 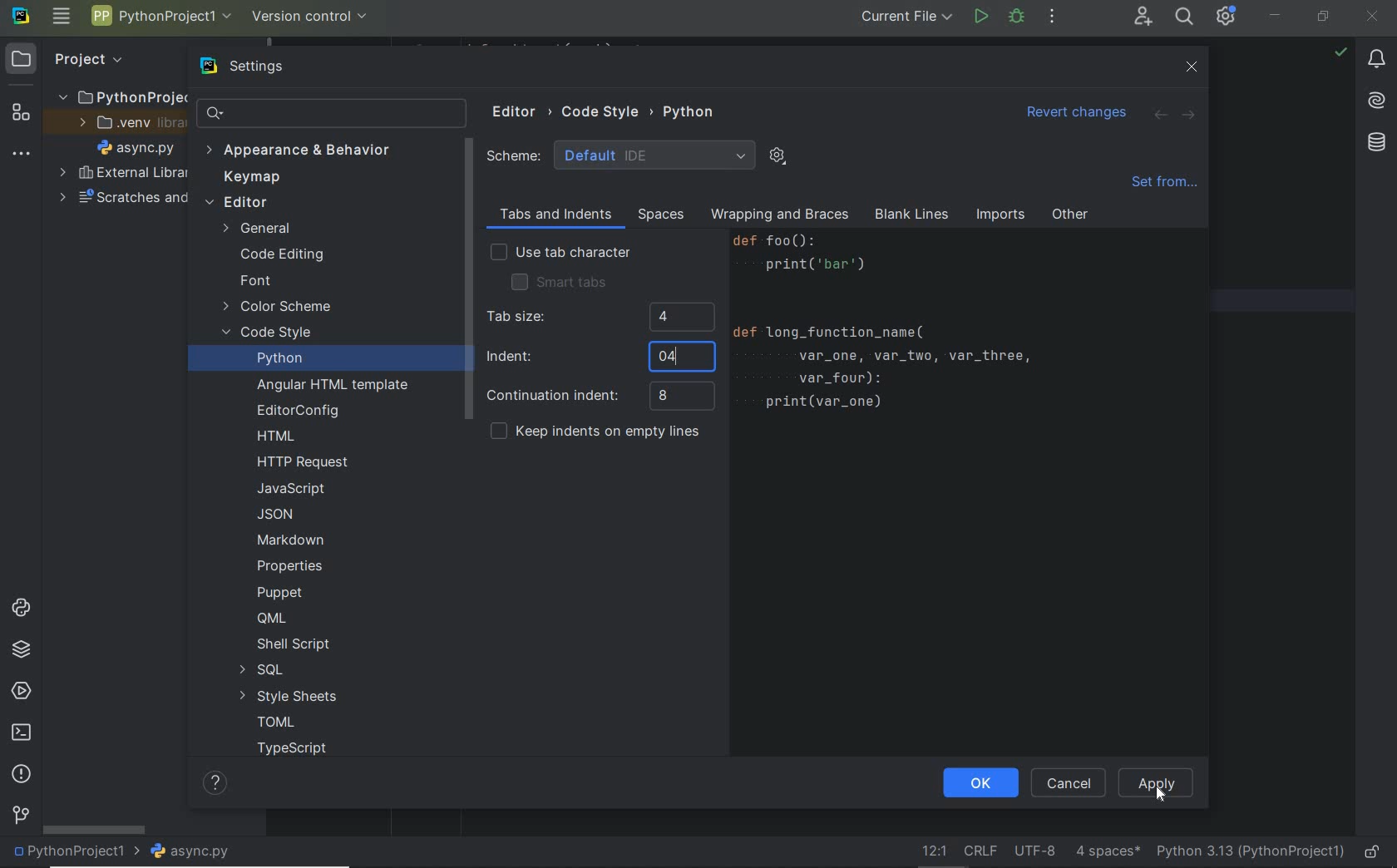 I want to click on Keymap, so click(x=248, y=178).